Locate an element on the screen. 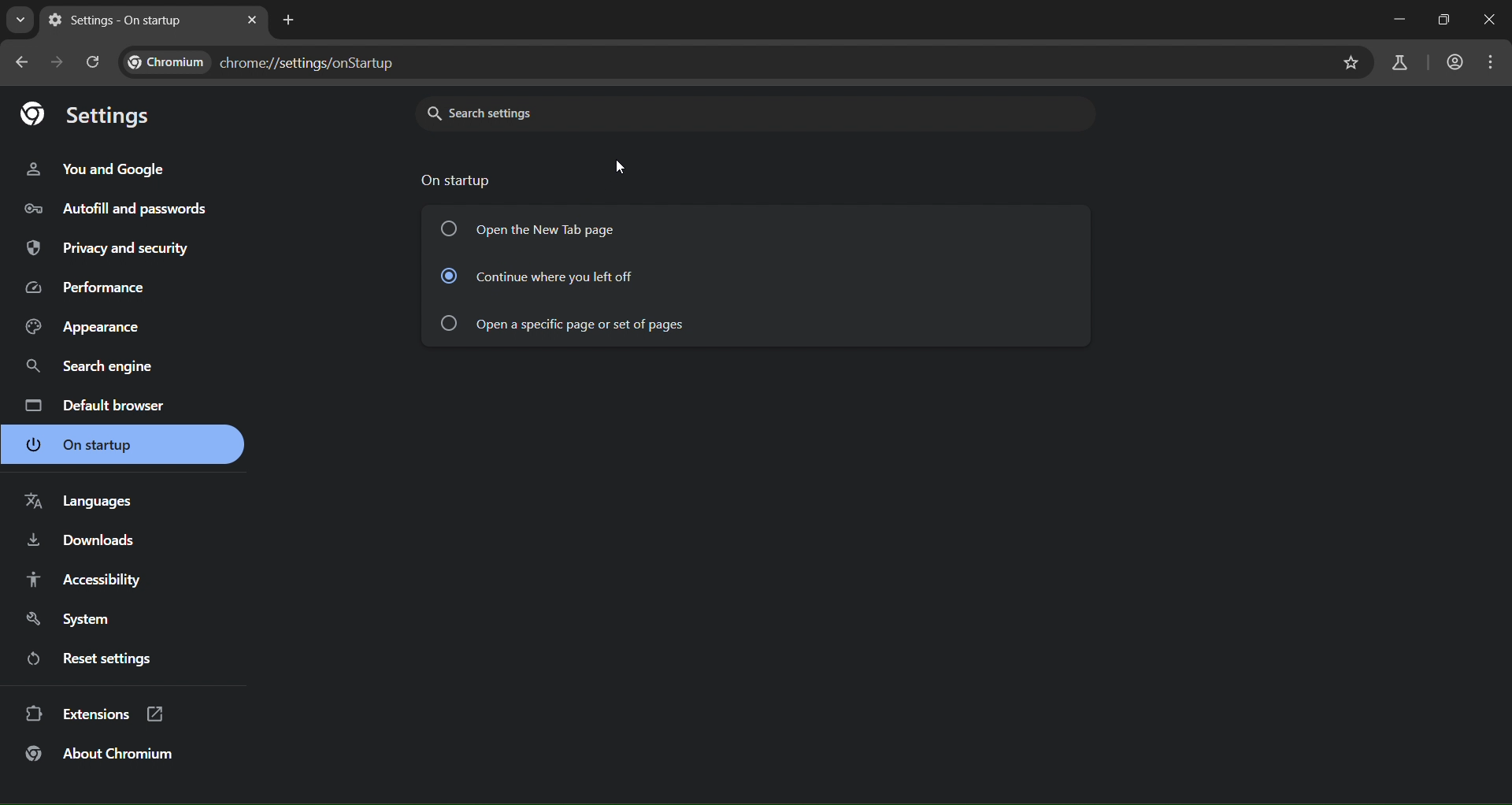 The height and width of the screenshot is (805, 1512). open the new tab page is located at coordinates (539, 228).